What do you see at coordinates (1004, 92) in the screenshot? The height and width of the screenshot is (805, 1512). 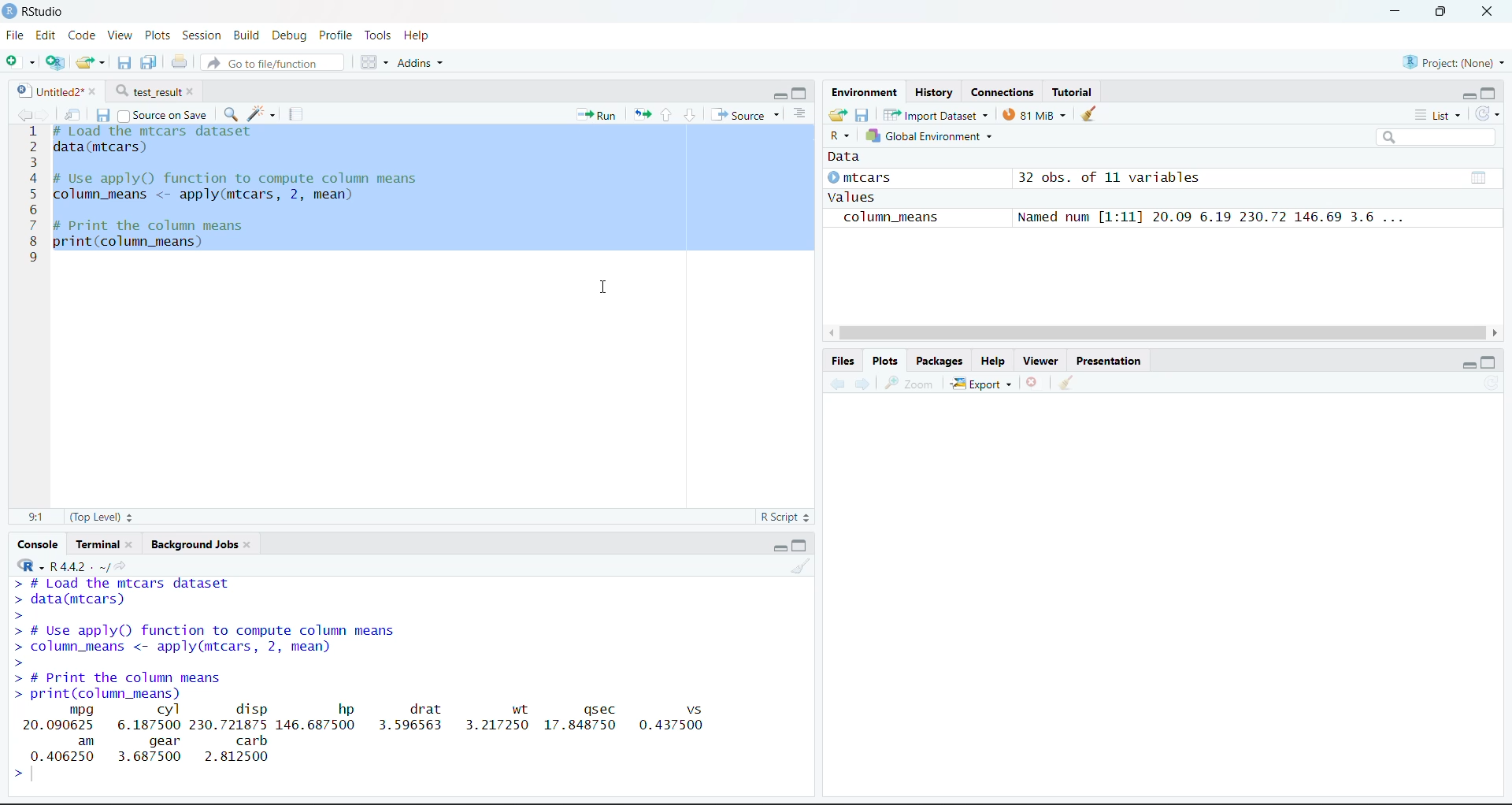 I see `Connections` at bounding box center [1004, 92].